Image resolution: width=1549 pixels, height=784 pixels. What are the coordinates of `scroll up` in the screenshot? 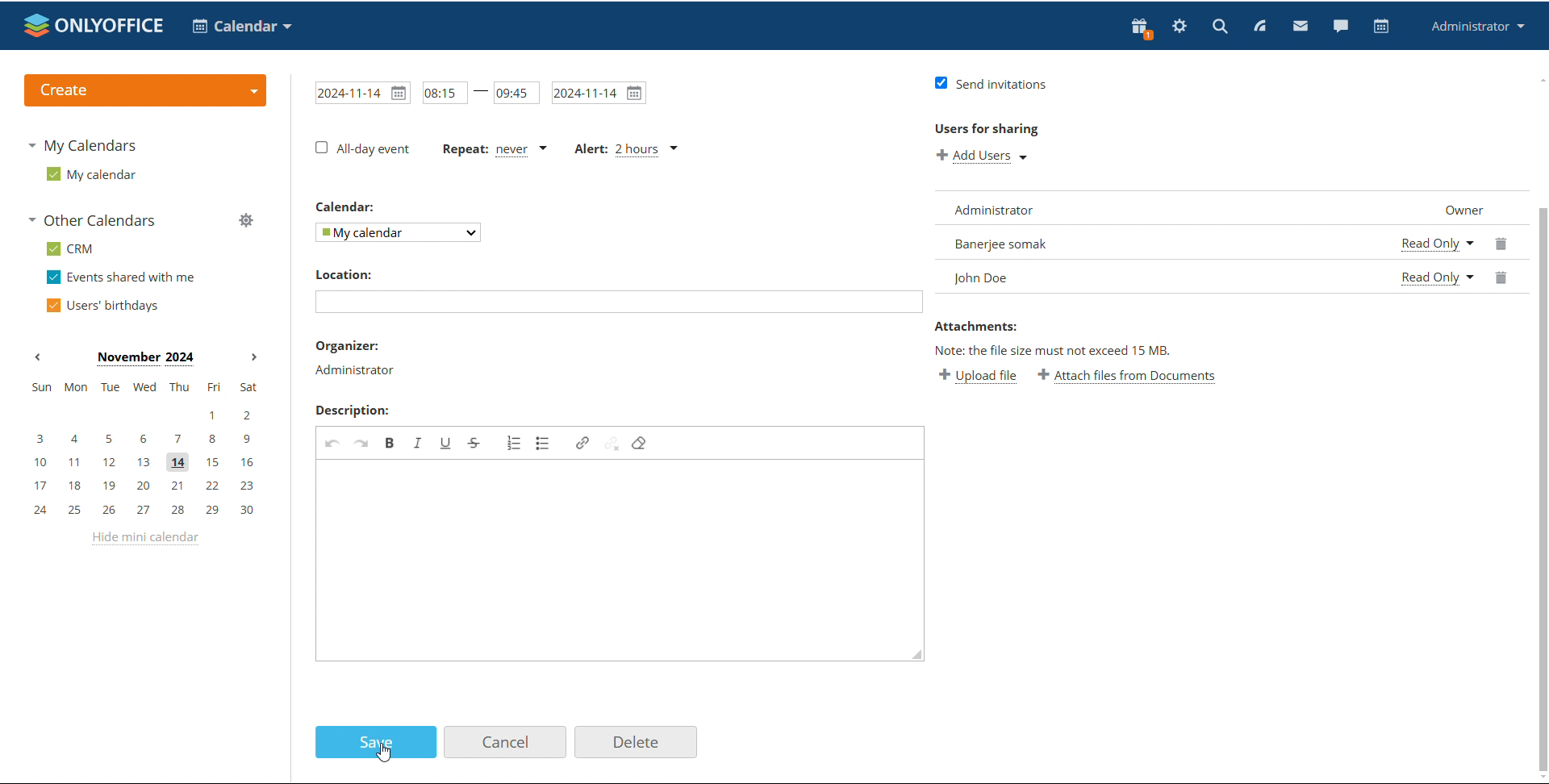 It's located at (1539, 78).